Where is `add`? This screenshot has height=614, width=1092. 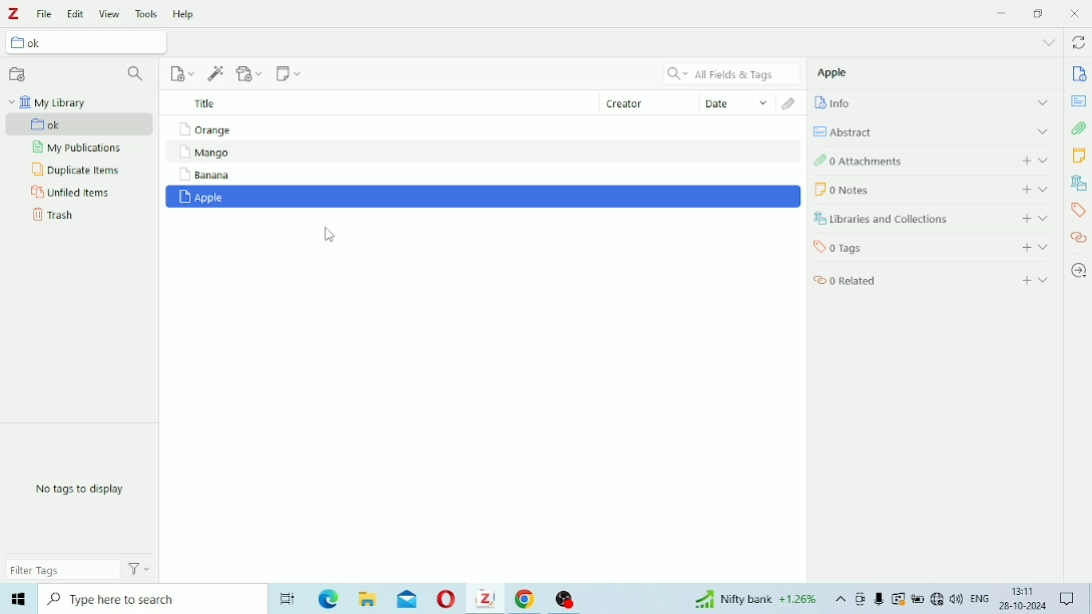 add is located at coordinates (1023, 188).